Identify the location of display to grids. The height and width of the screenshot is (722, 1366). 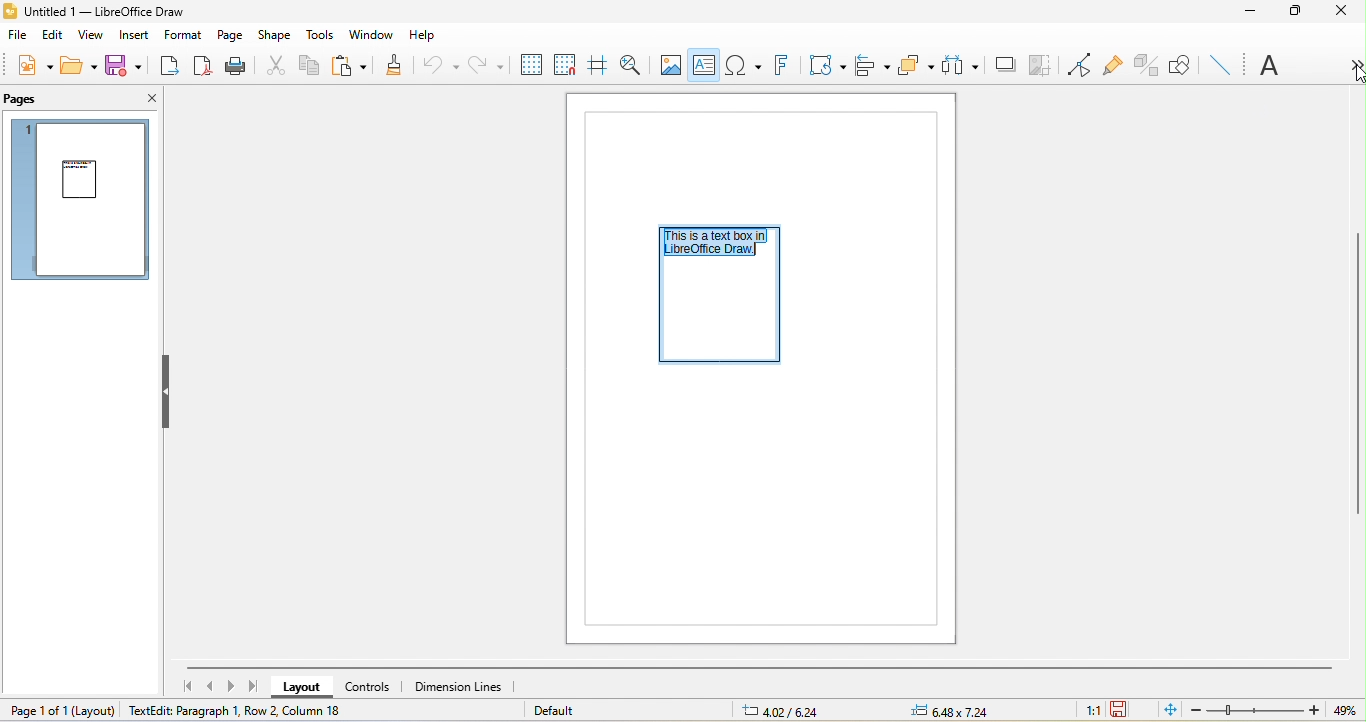
(529, 65).